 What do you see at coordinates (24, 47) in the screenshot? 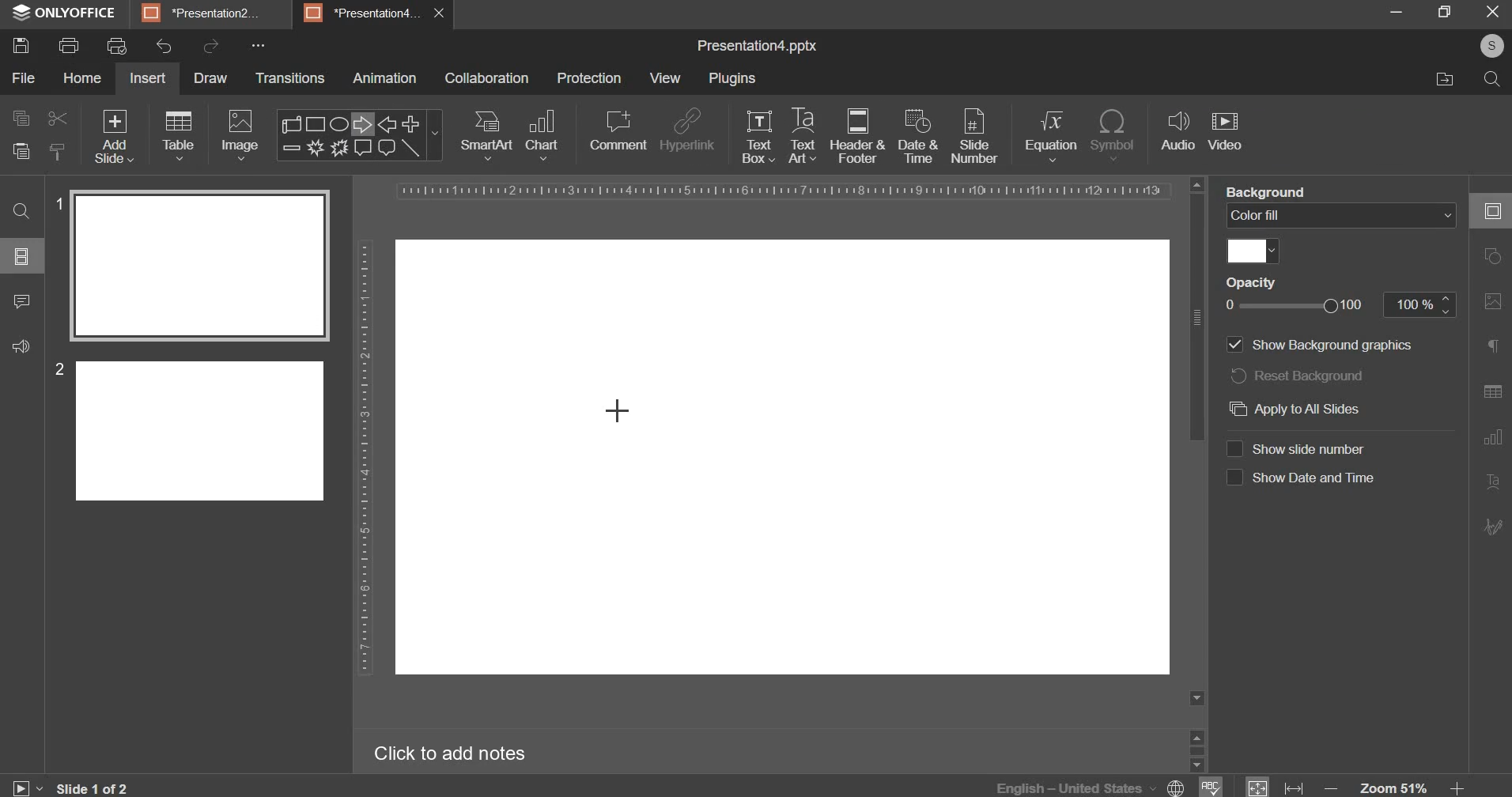
I see `save` at bounding box center [24, 47].